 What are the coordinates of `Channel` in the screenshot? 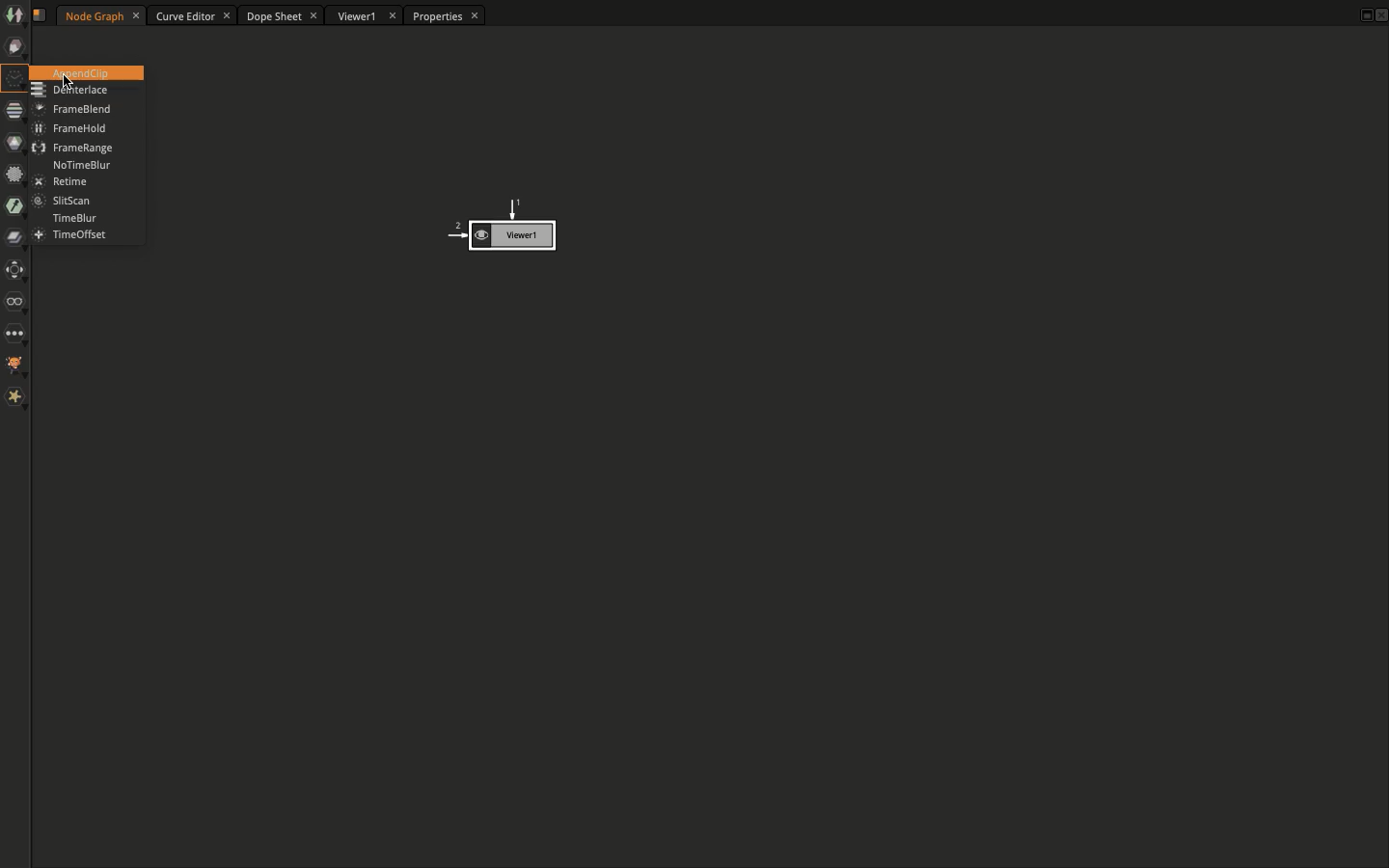 It's located at (11, 112).